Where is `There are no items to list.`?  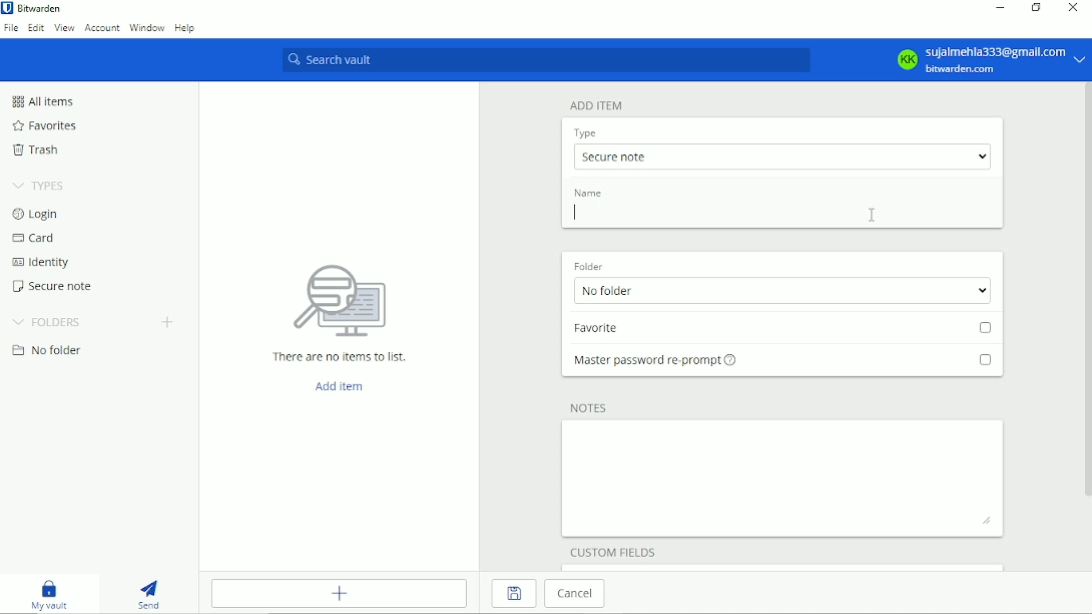
There are no items to list. is located at coordinates (341, 310).